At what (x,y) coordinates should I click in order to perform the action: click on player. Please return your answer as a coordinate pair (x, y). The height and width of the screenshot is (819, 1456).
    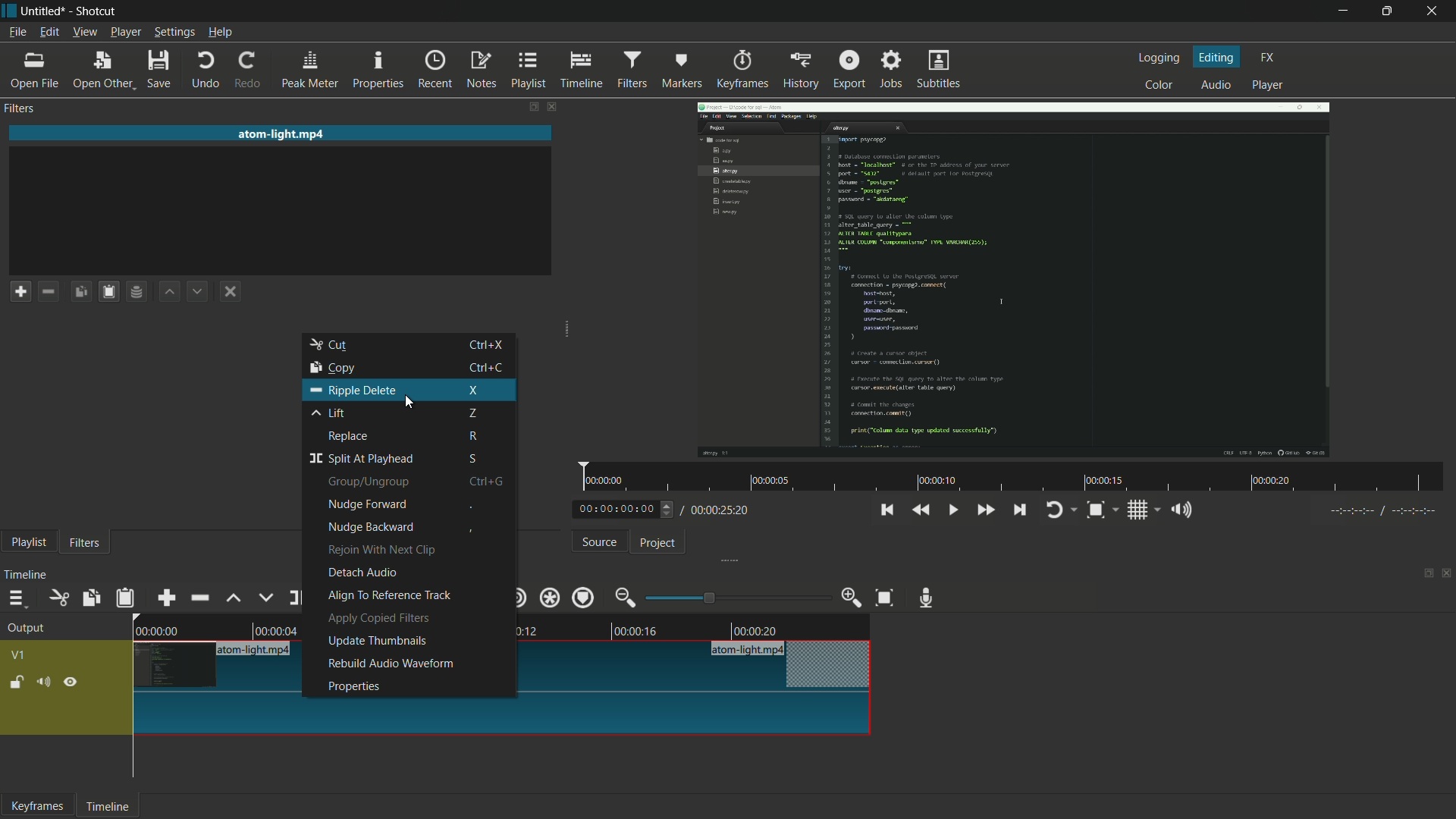
    Looking at the image, I should click on (1268, 86).